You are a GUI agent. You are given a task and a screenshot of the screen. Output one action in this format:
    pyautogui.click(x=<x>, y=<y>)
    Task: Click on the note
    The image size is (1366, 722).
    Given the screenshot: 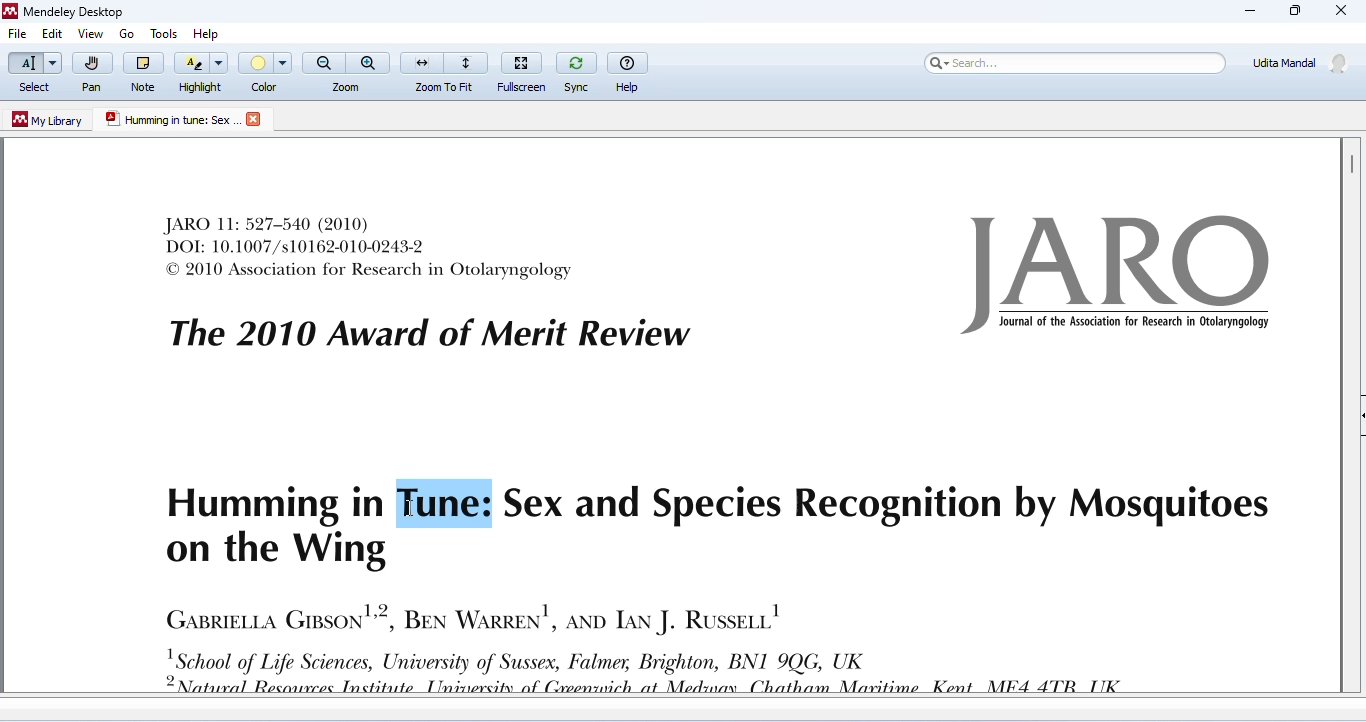 What is the action you would take?
    pyautogui.click(x=143, y=71)
    